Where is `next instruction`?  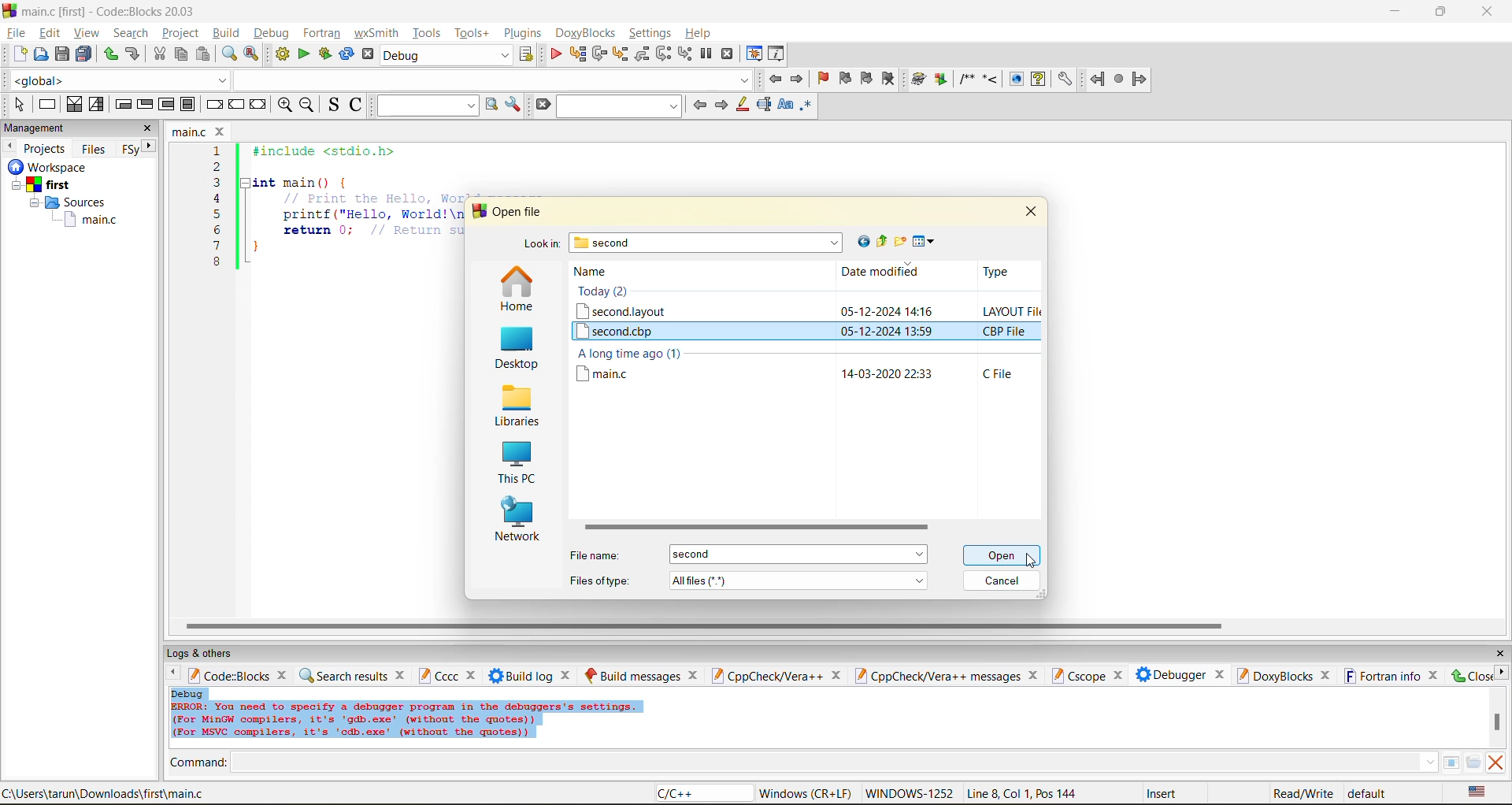 next instruction is located at coordinates (663, 54).